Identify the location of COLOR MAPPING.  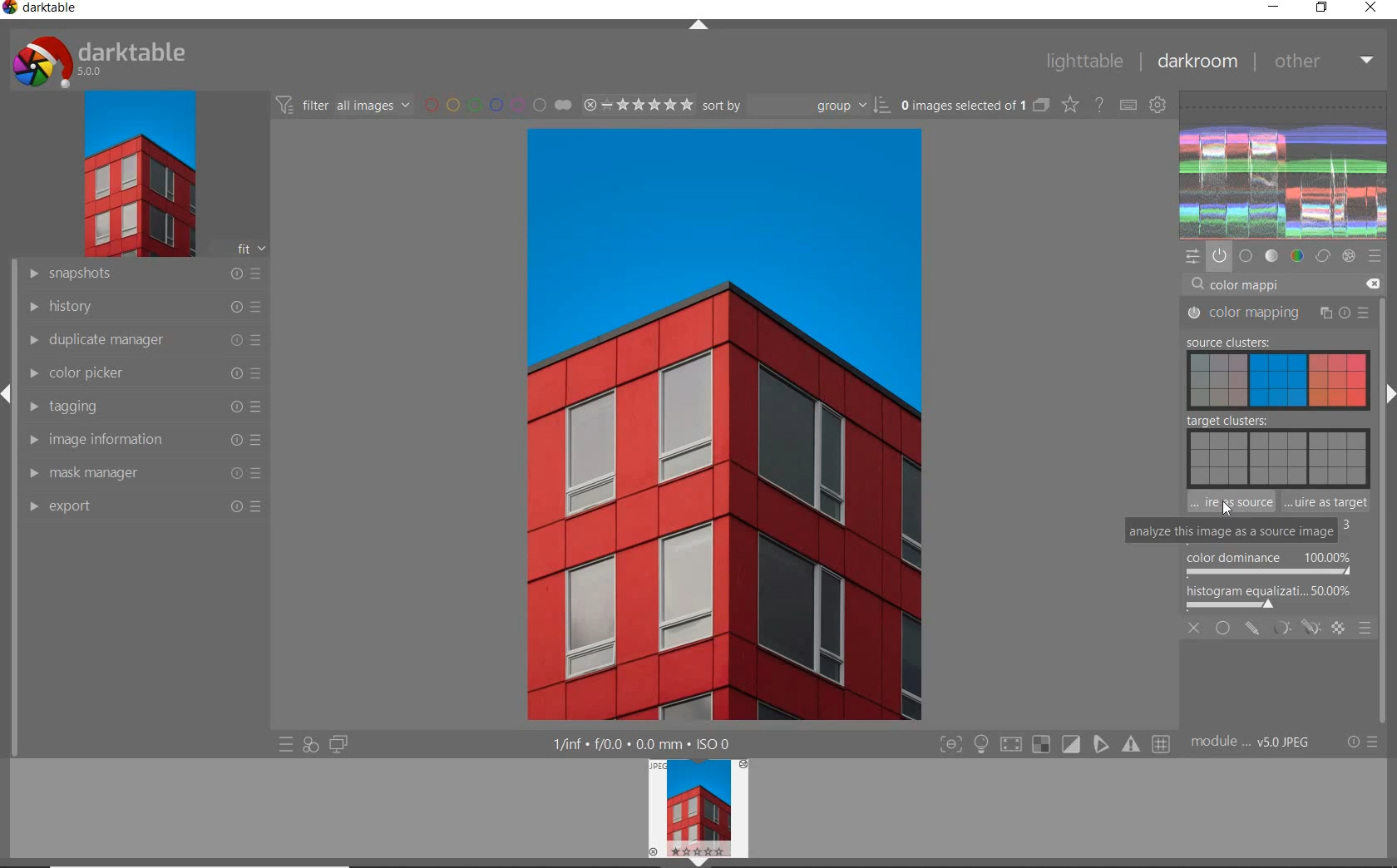
(1279, 314).